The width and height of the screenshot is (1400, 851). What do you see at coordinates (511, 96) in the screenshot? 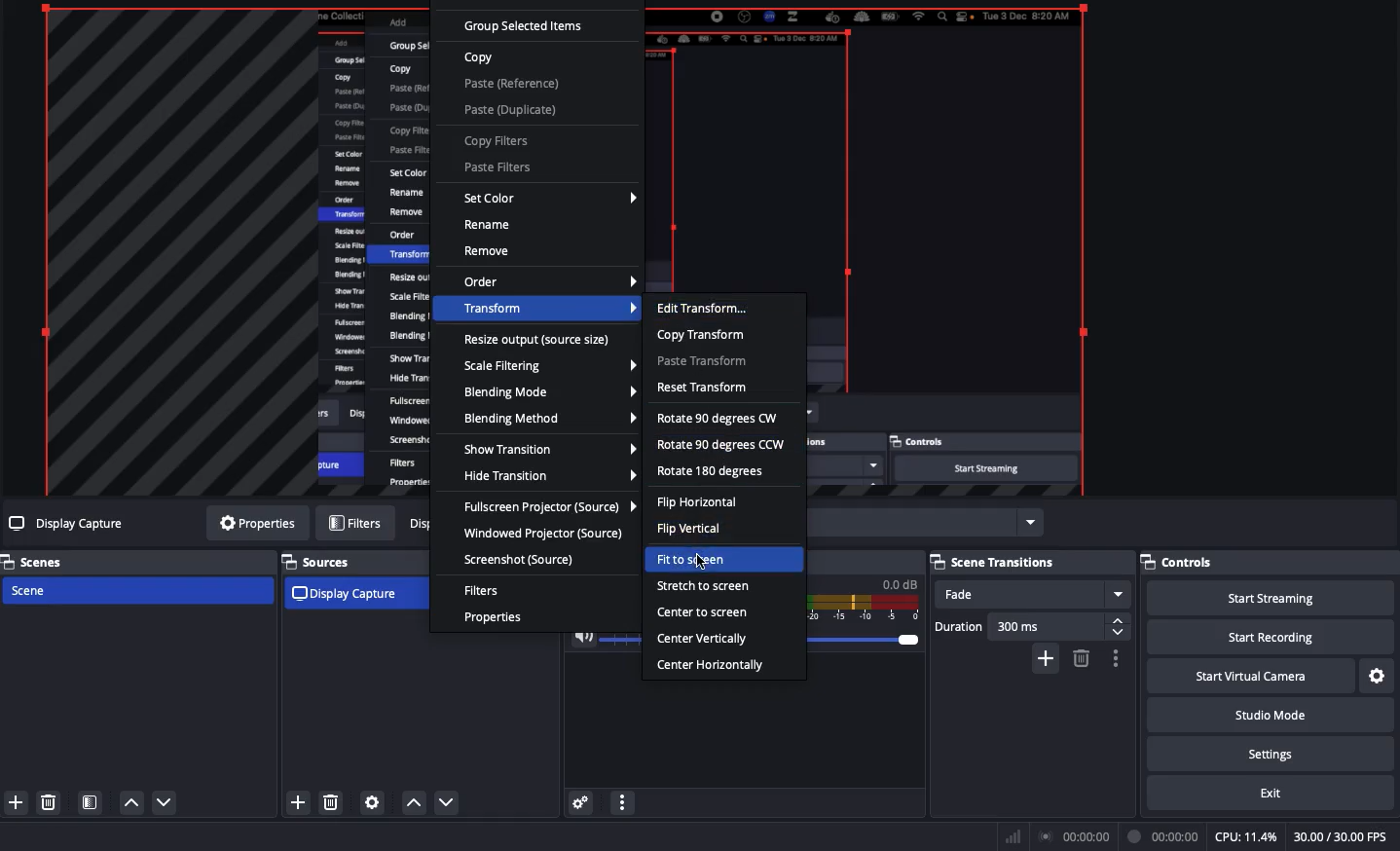
I see `Paste ` at bounding box center [511, 96].